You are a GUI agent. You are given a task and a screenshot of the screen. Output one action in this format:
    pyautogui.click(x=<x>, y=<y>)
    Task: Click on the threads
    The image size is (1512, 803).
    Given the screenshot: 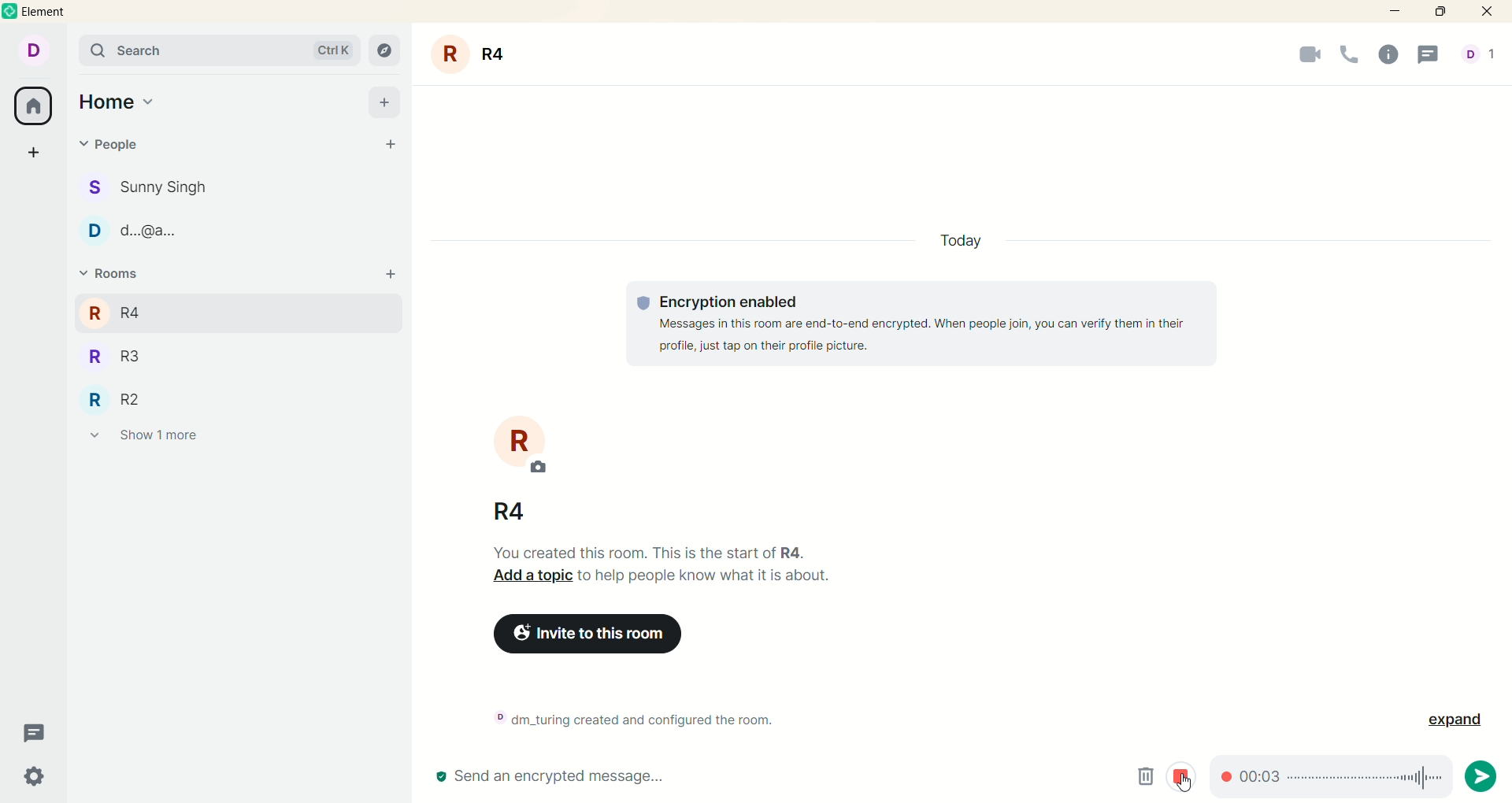 What is the action you would take?
    pyautogui.click(x=1434, y=55)
    